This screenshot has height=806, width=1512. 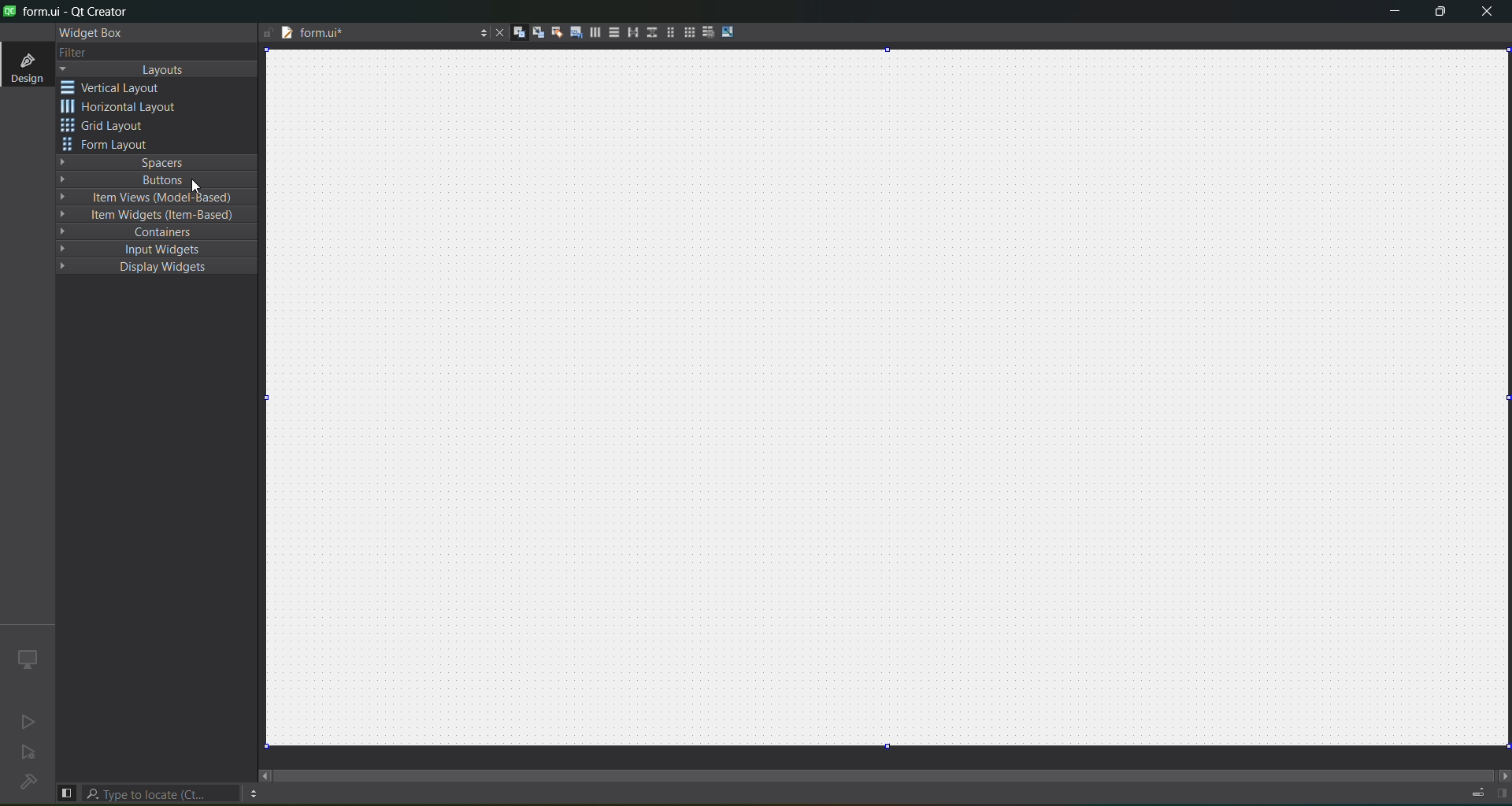 What do you see at coordinates (480, 31) in the screenshot?
I see `options` at bounding box center [480, 31].